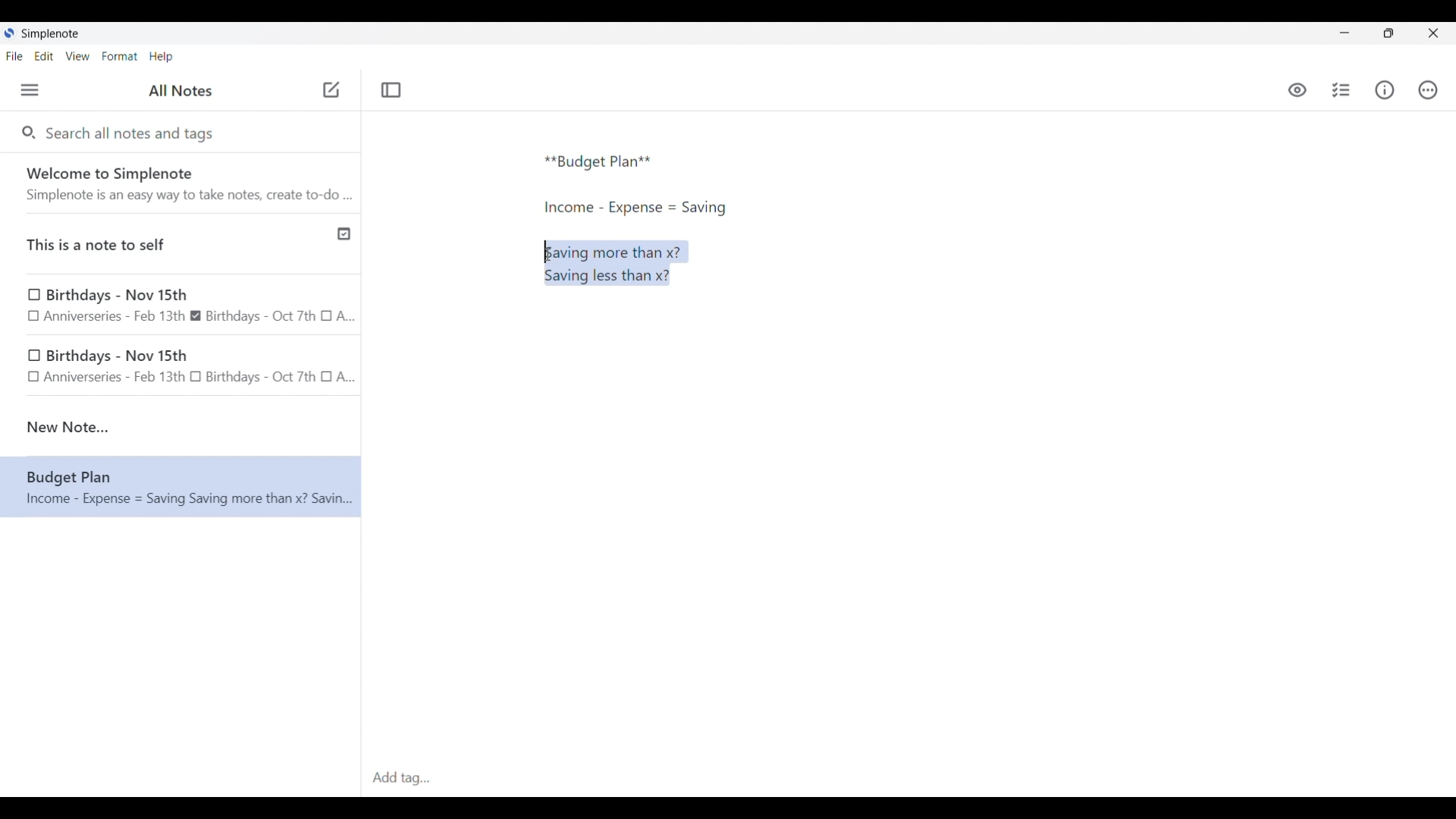 The image size is (1456, 819). Describe the element at coordinates (184, 183) in the screenshot. I see `Software welcome note` at that location.